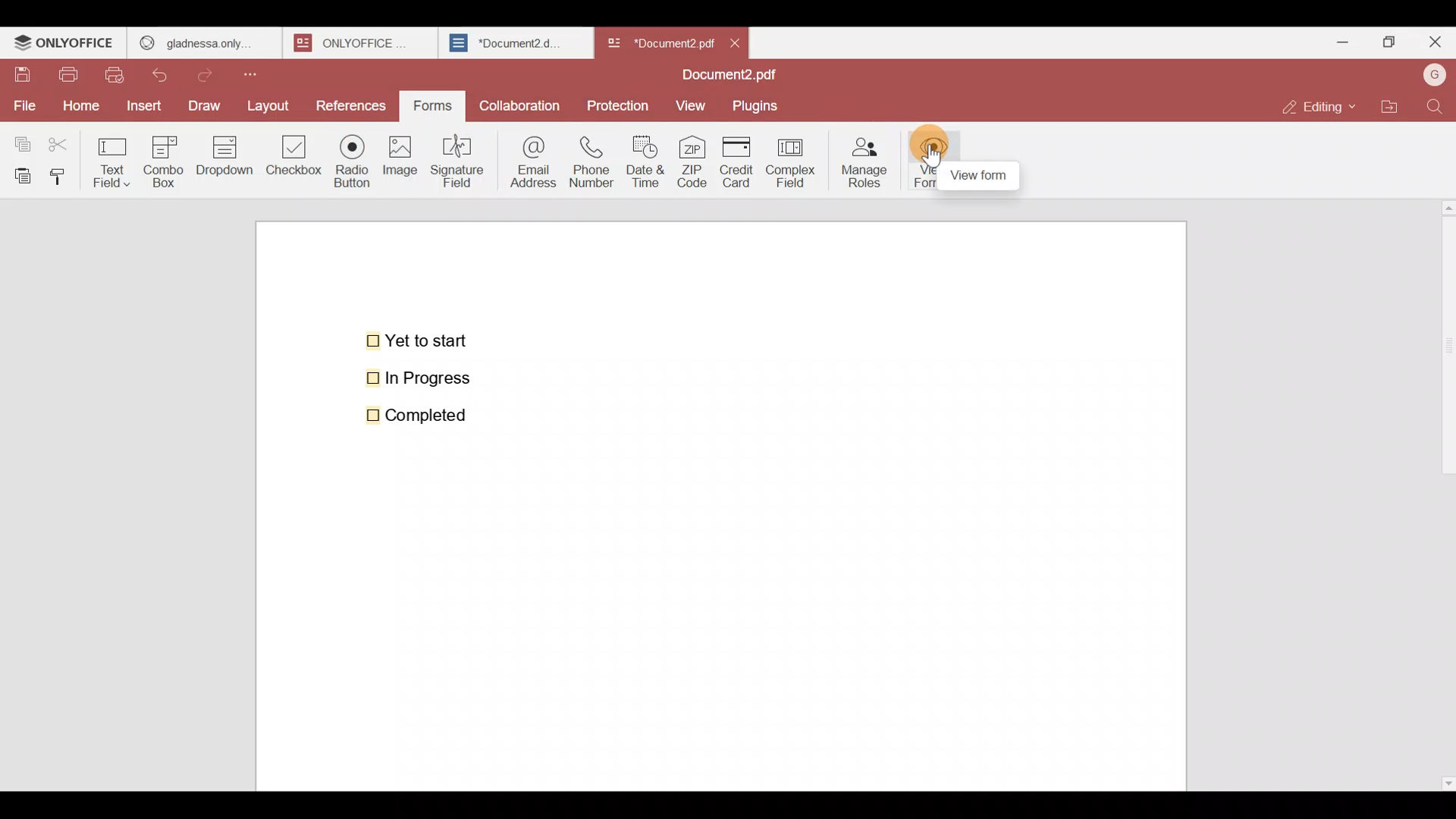  What do you see at coordinates (119, 74) in the screenshot?
I see `Quick print` at bounding box center [119, 74].